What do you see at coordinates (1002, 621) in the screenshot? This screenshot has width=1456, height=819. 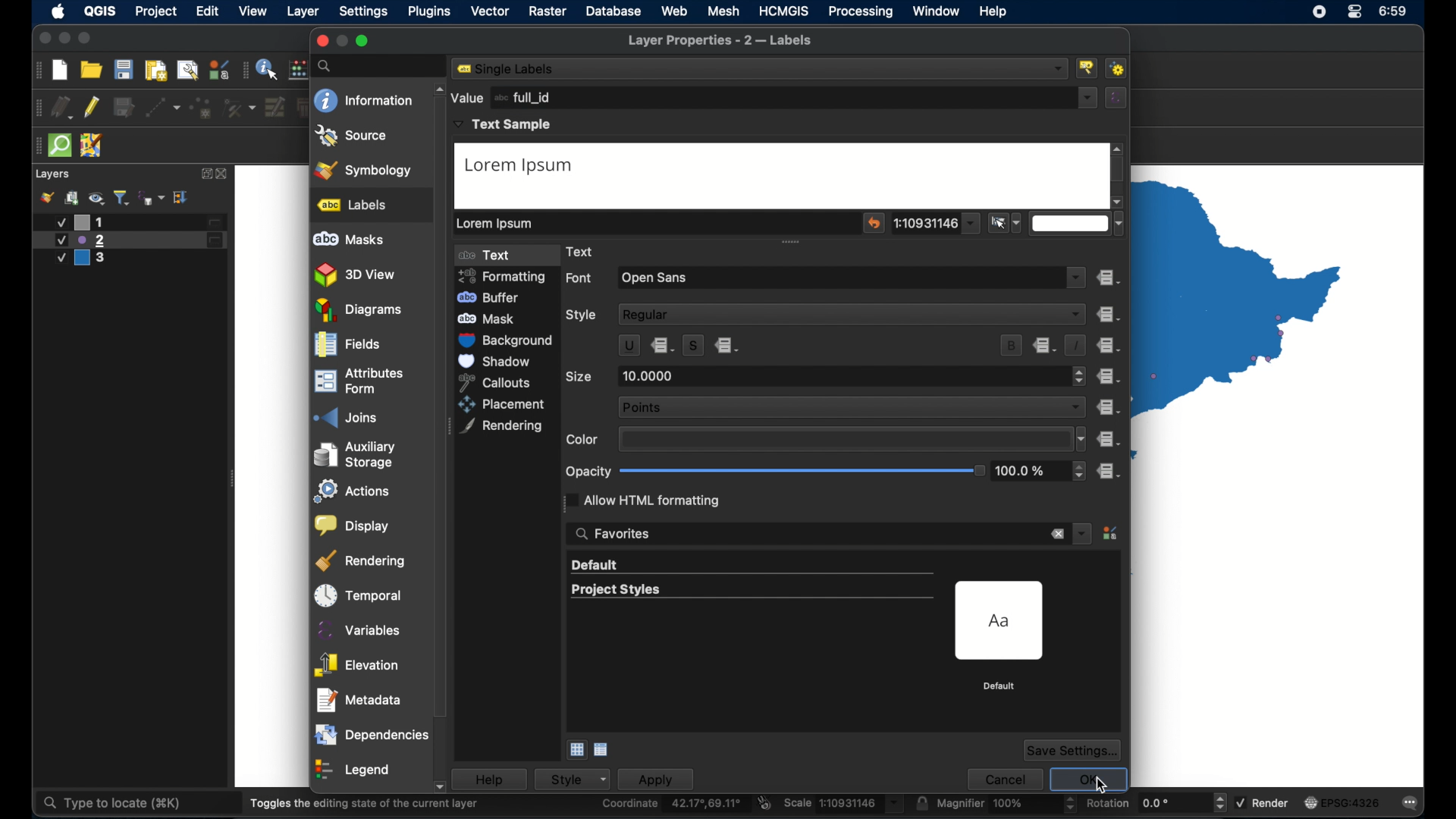 I see `preview` at bounding box center [1002, 621].